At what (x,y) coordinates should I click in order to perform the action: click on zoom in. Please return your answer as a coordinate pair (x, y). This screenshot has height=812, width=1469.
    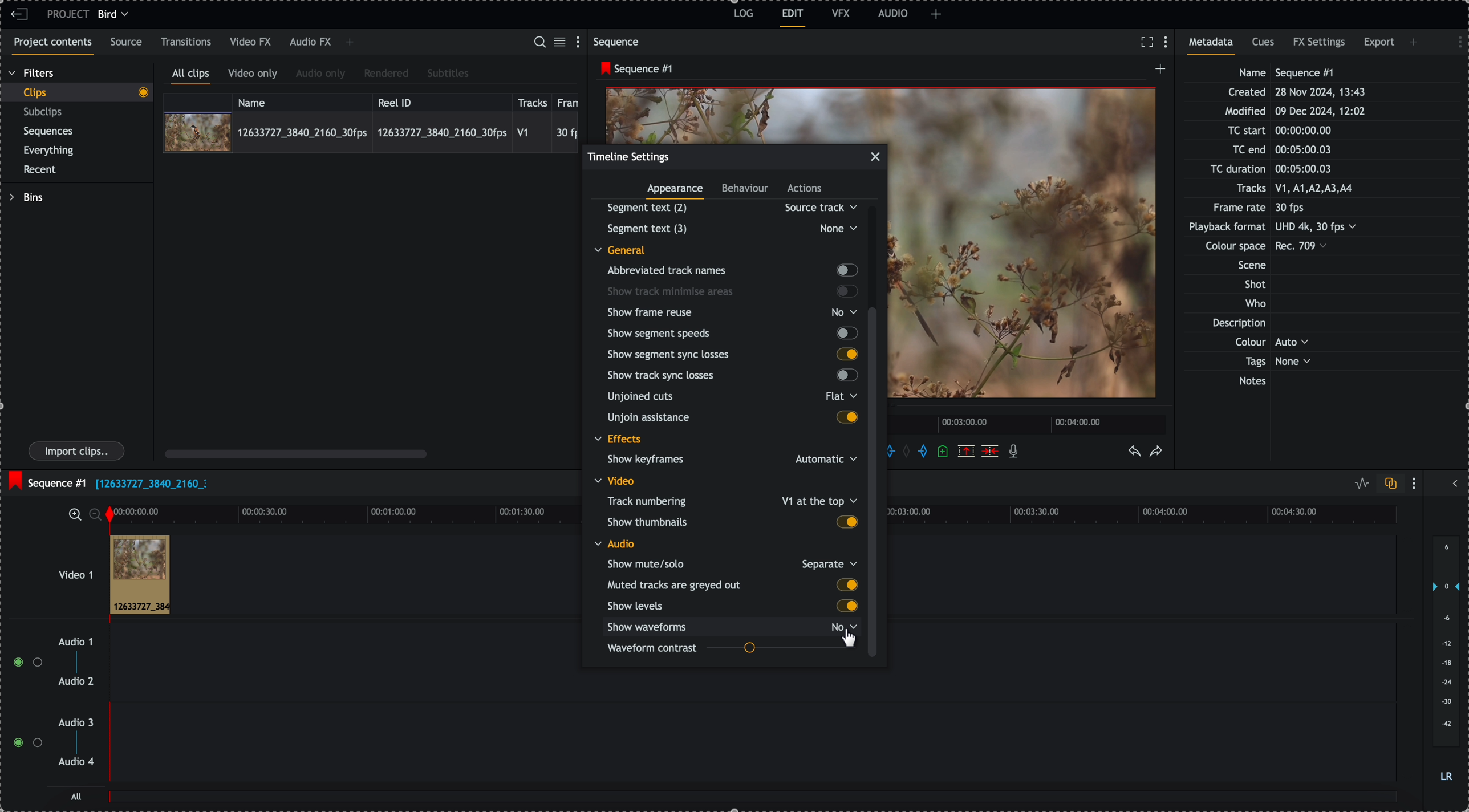
    Looking at the image, I should click on (74, 514).